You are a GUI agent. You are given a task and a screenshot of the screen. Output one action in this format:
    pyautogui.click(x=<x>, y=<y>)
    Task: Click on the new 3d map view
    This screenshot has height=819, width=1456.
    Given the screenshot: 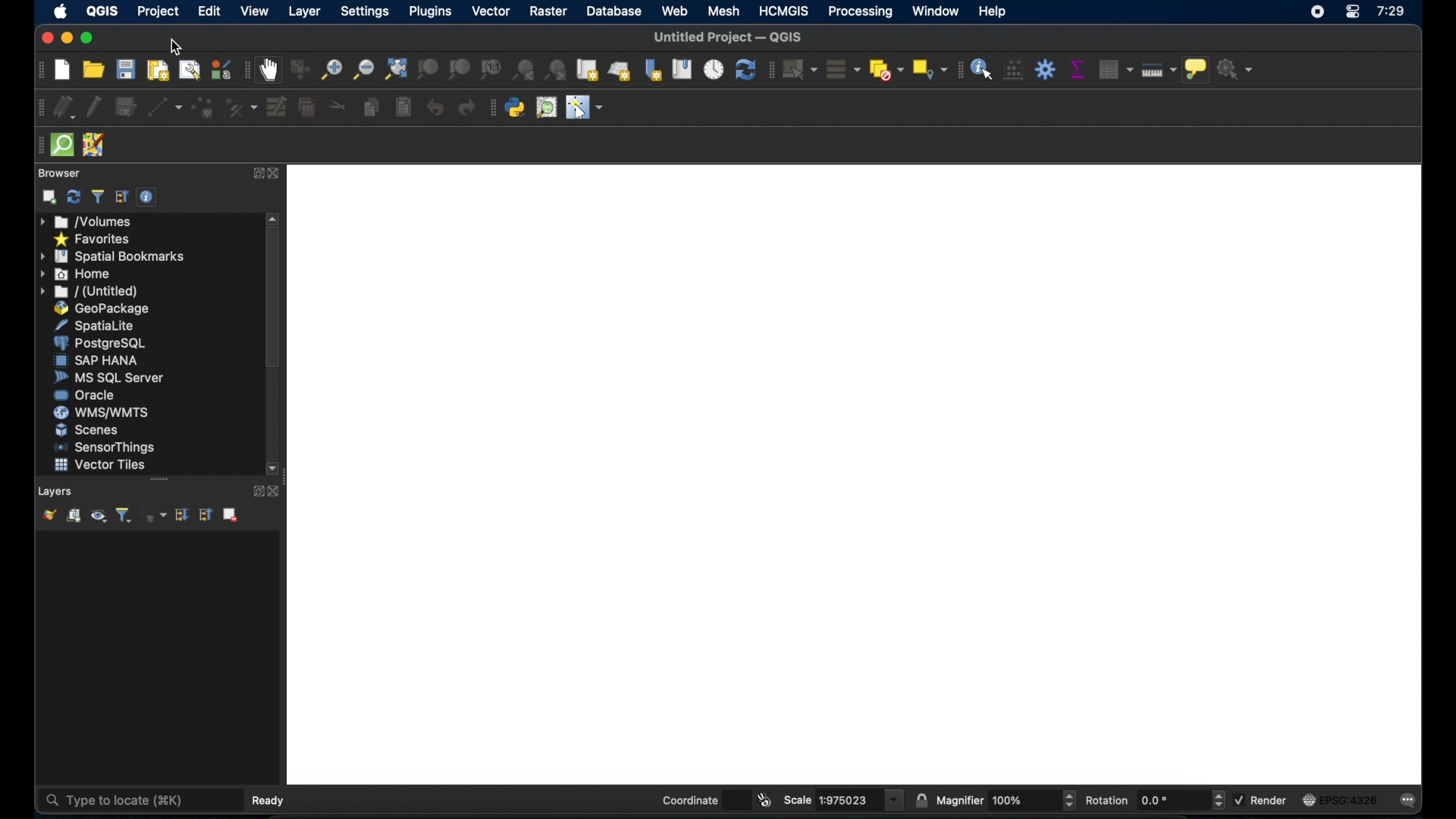 What is the action you would take?
    pyautogui.click(x=620, y=72)
    